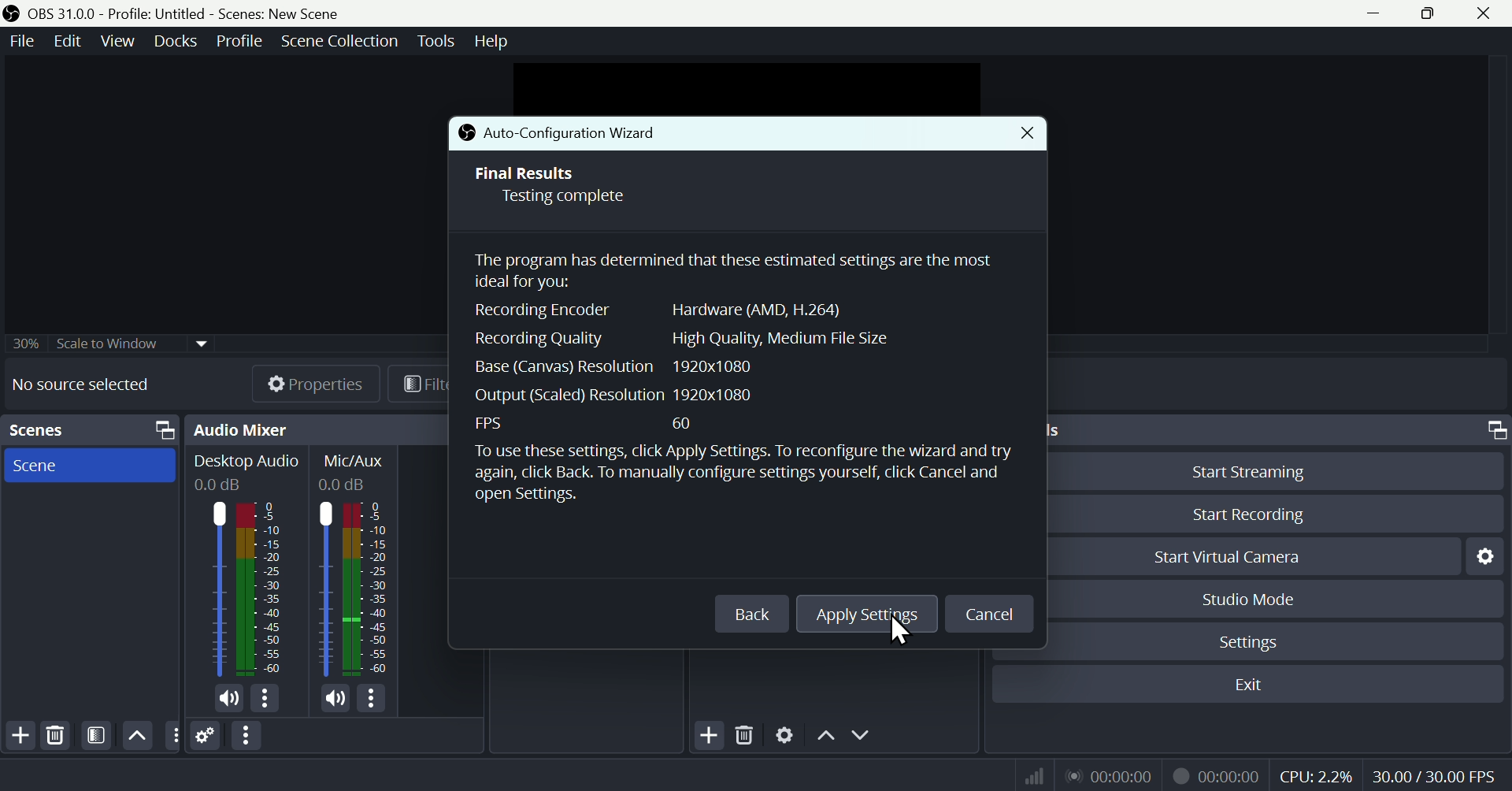  What do you see at coordinates (24, 41) in the screenshot?
I see `File` at bounding box center [24, 41].